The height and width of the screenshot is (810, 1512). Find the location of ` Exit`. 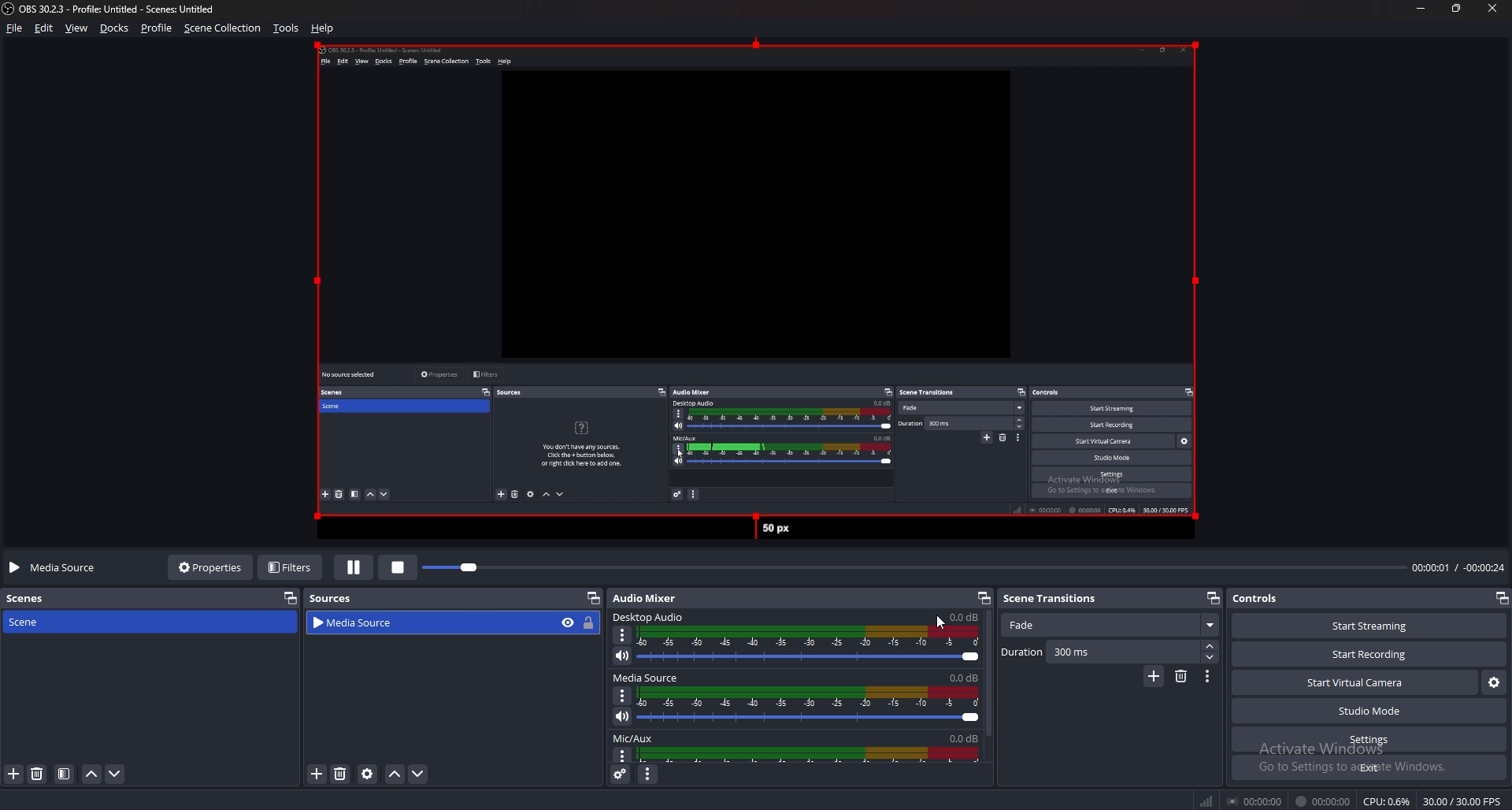

 Exit is located at coordinates (1370, 767).